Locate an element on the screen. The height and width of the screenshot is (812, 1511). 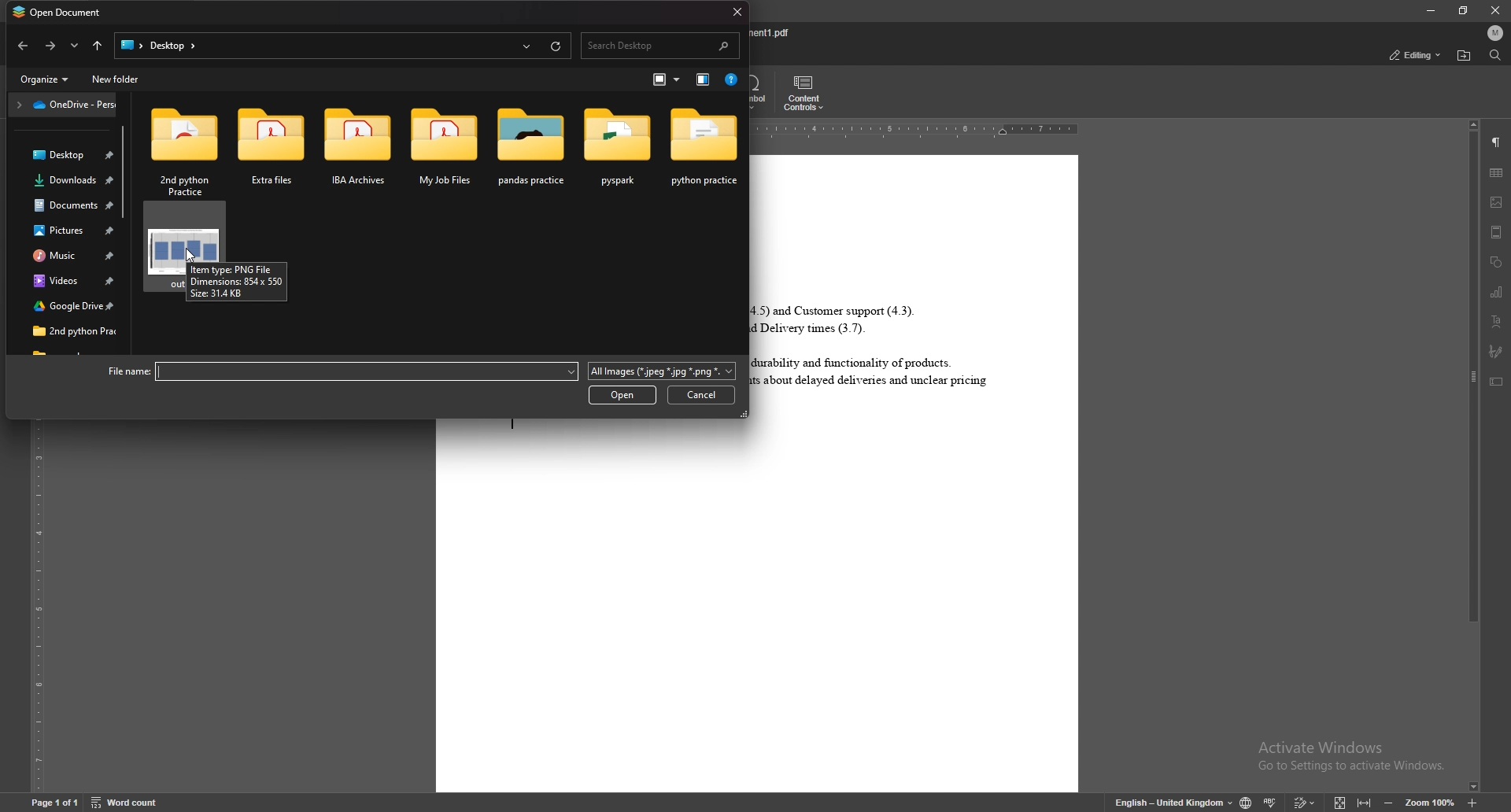
change text language is located at coordinates (1173, 803).